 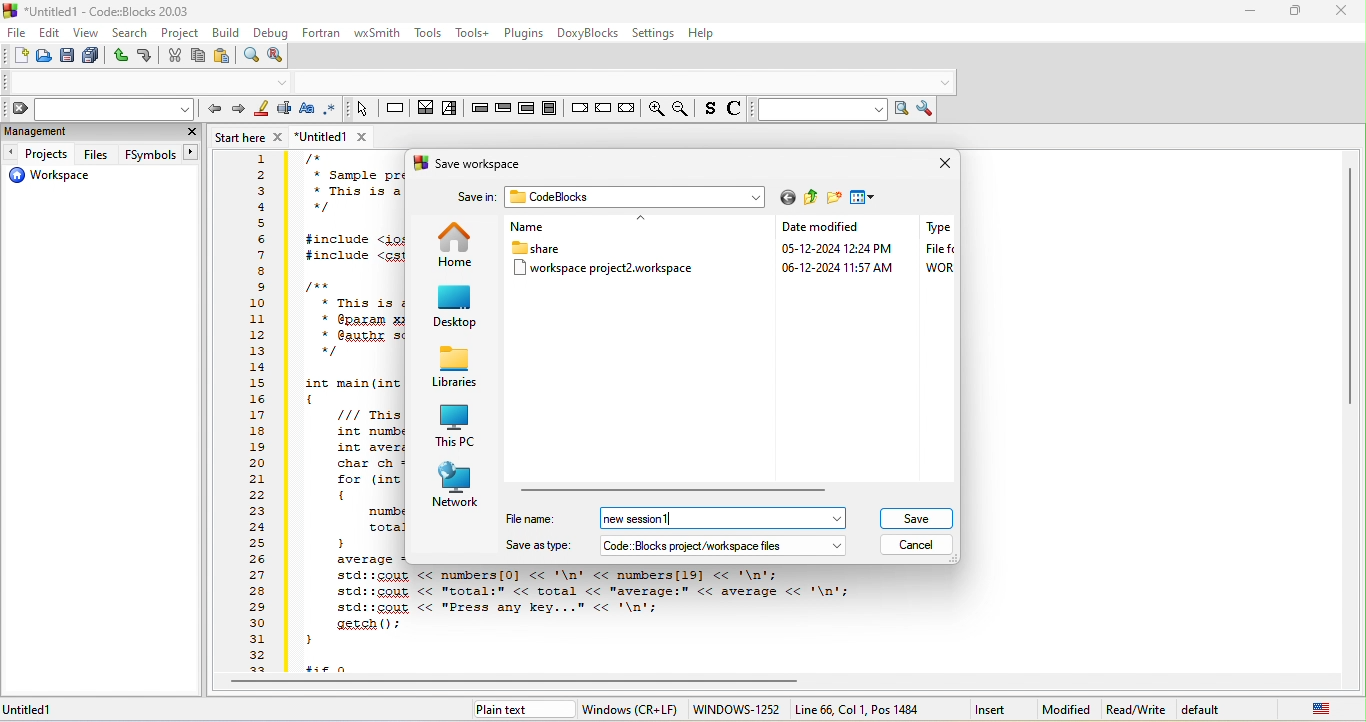 I want to click on toggle source, so click(x=709, y=111).